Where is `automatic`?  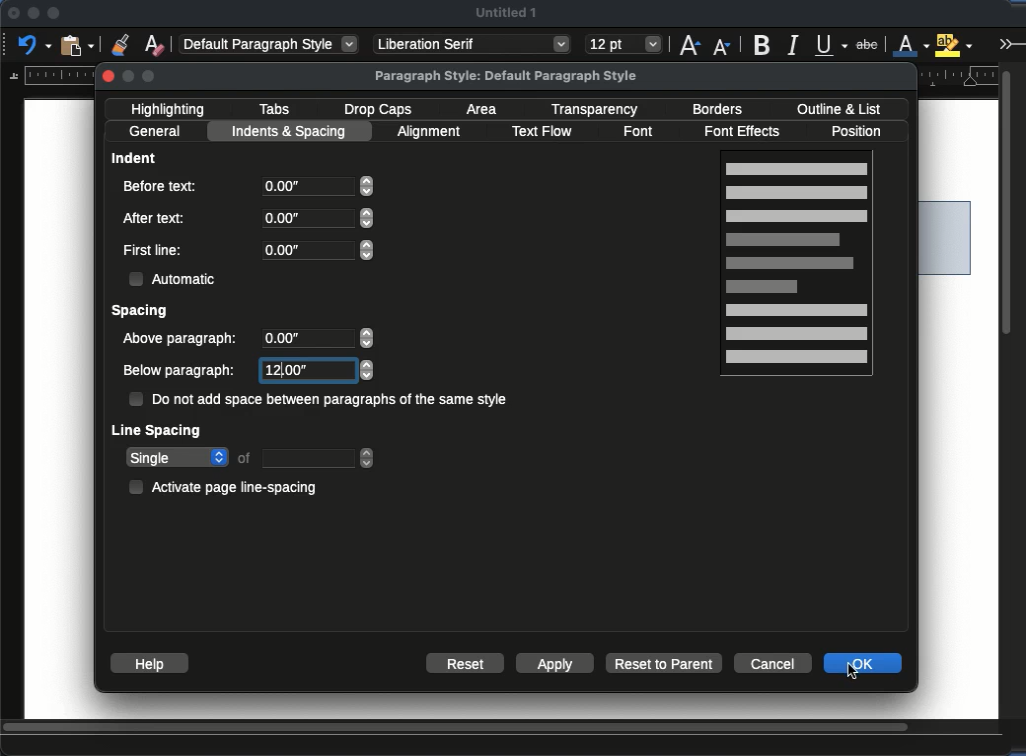
automatic is located at coordinates (176, 279).